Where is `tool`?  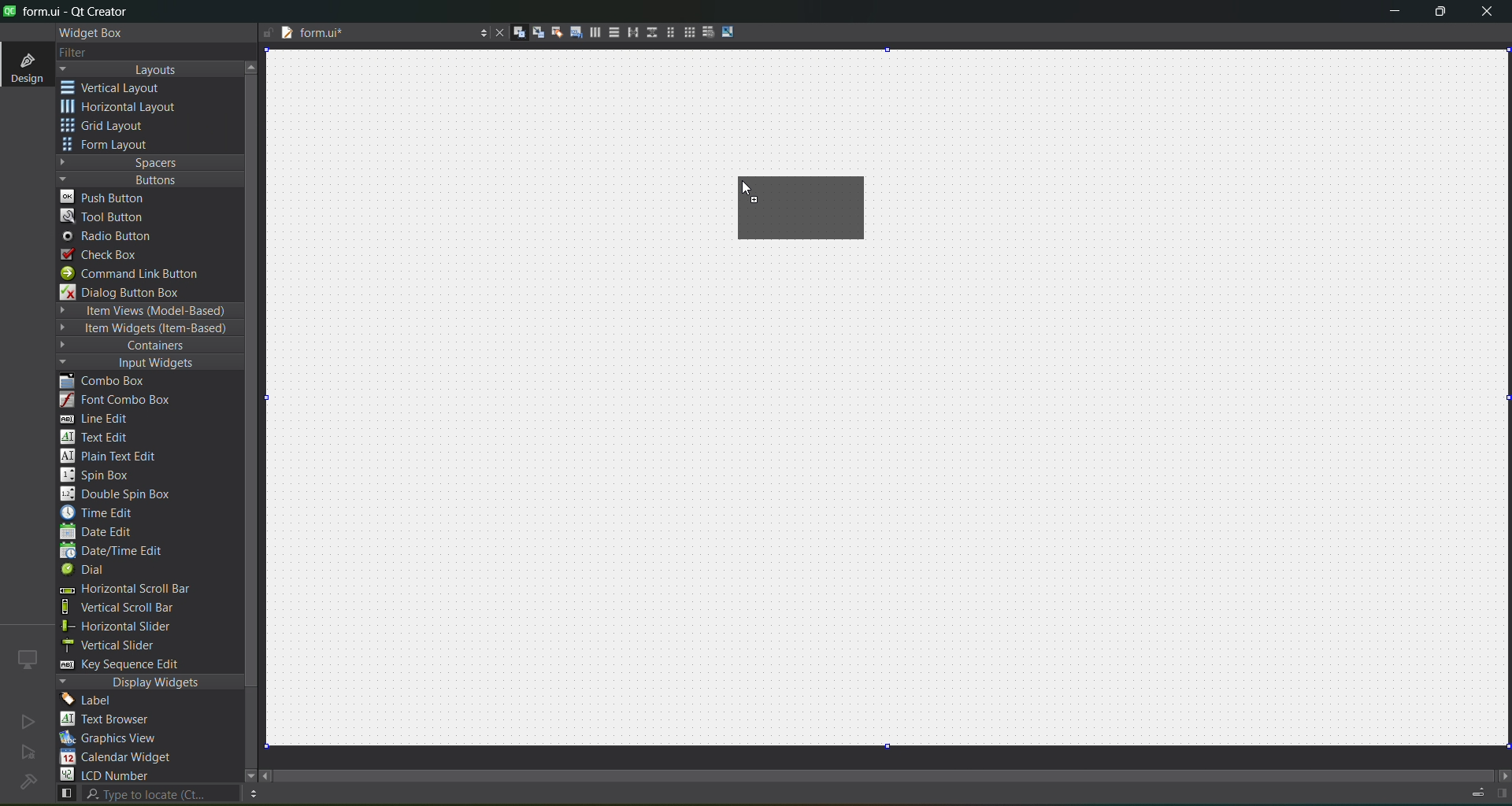 tool is located at coordinates (106, 216).